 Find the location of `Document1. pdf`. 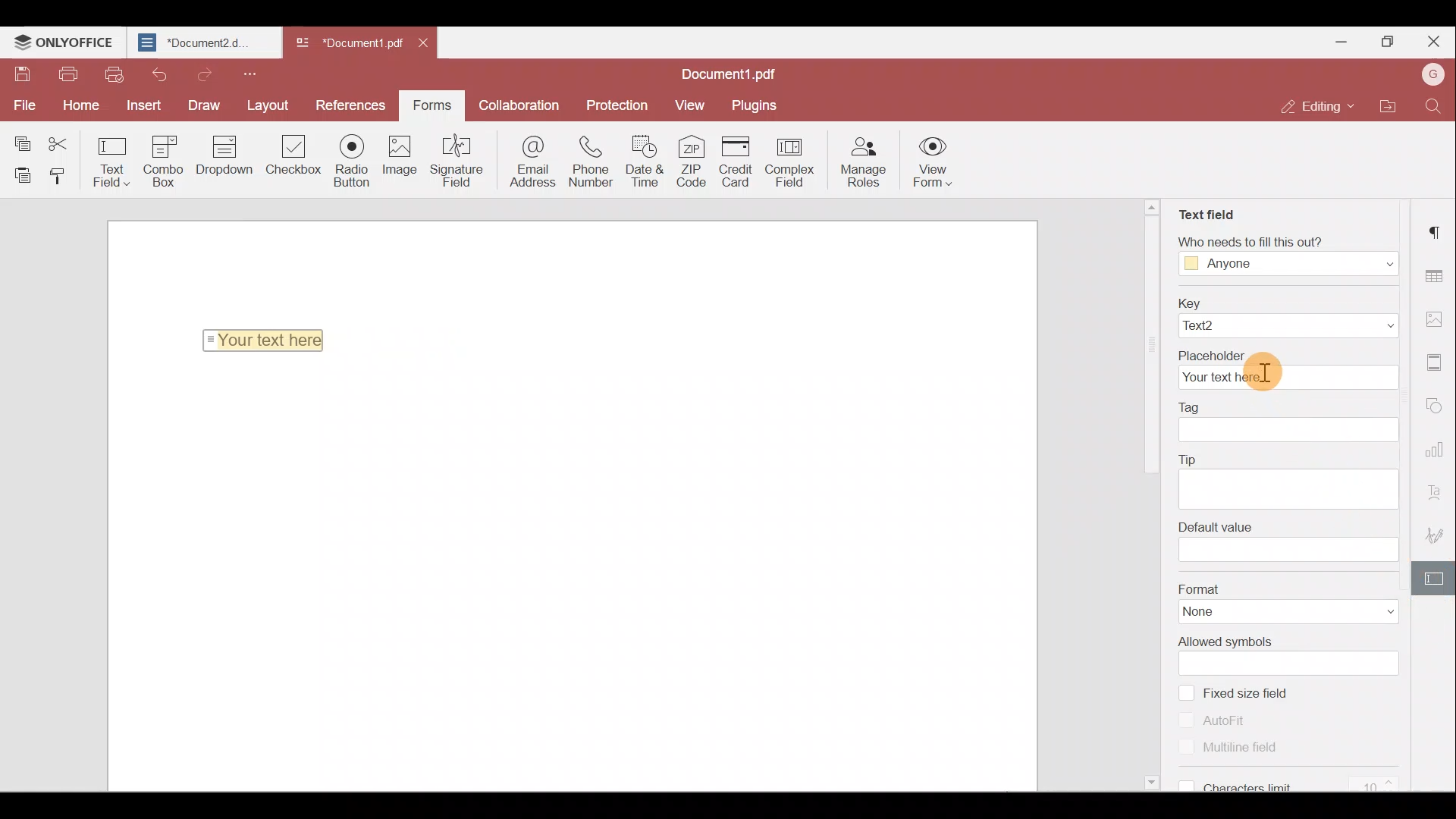

Document1. pdf is located at coordinates (346, 42).